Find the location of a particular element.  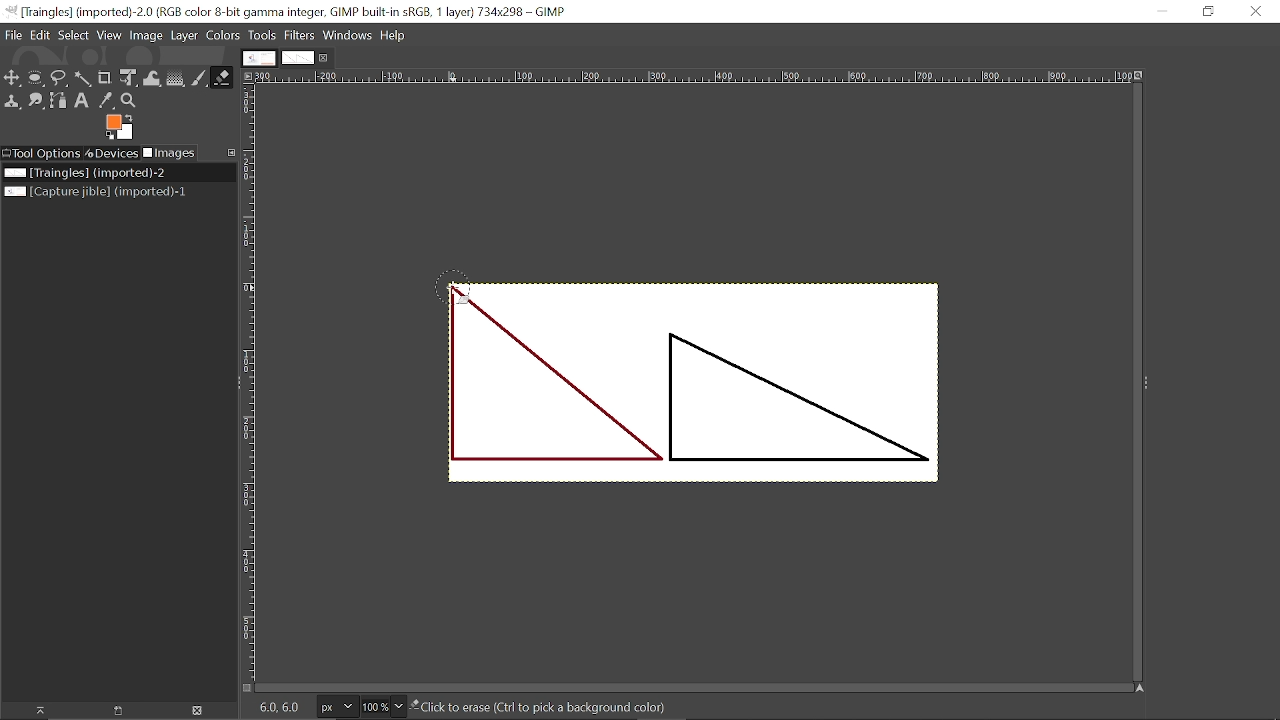

Current window is located at coordinates (294, 11).